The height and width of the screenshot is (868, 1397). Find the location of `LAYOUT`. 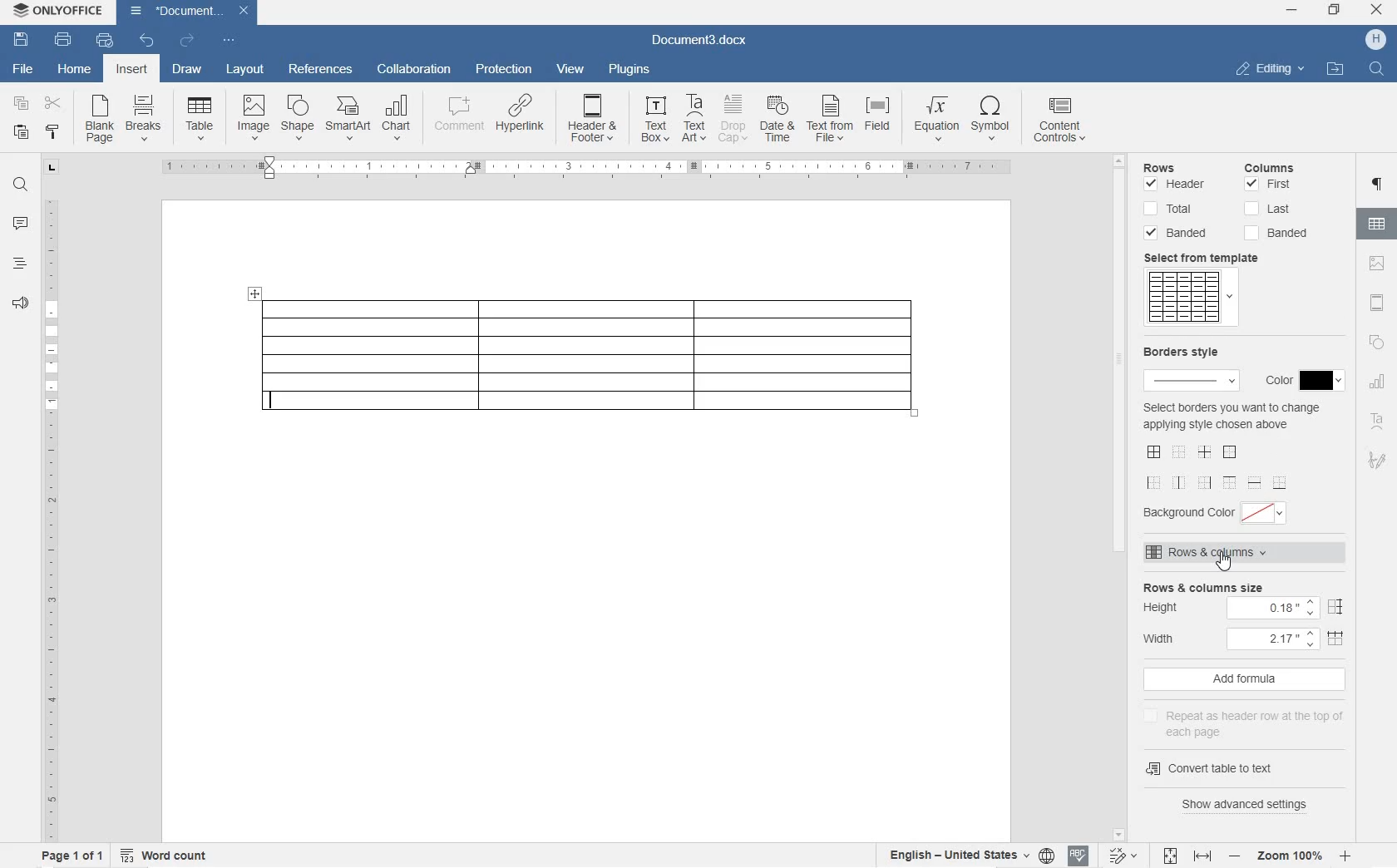

LAYOUT is located at coordinates (246, 71).